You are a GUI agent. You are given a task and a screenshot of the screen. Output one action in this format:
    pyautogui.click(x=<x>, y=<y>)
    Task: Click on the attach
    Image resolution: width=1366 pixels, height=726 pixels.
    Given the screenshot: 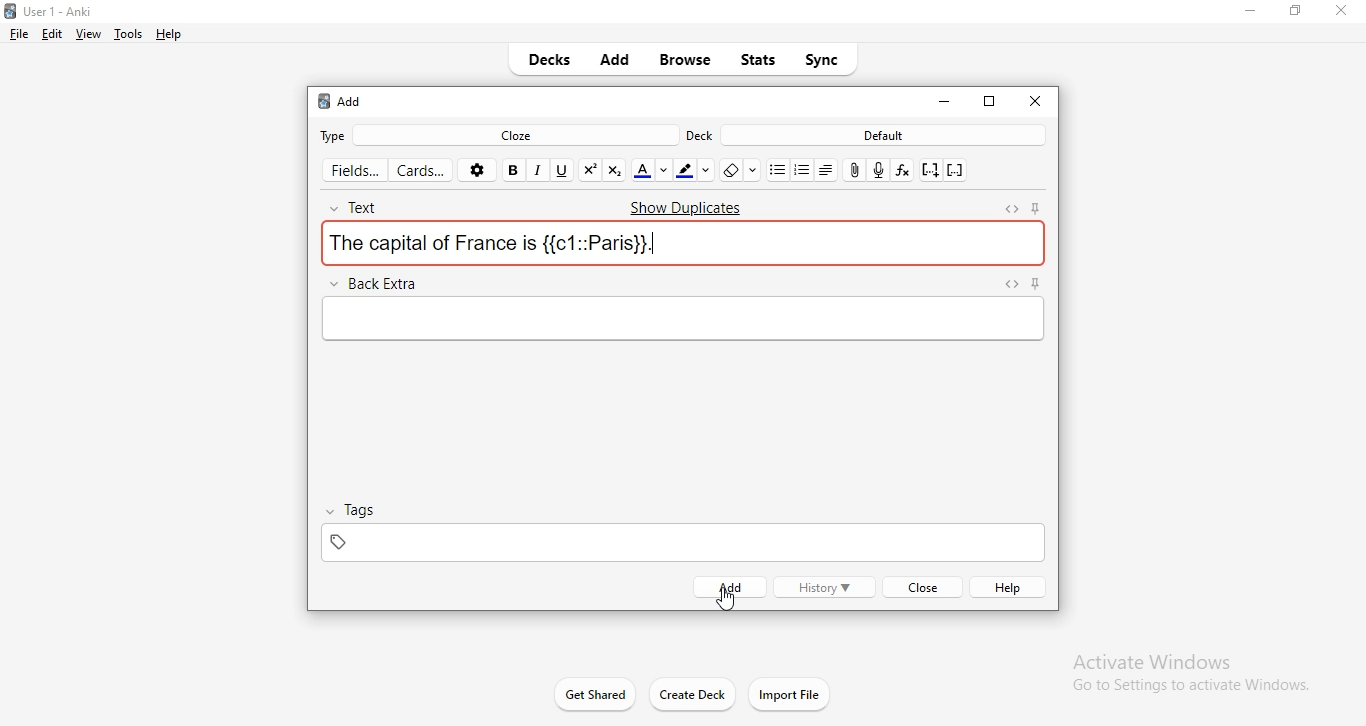 What is the action you would take?
    pyautogui.click(x=855, y=171)
    